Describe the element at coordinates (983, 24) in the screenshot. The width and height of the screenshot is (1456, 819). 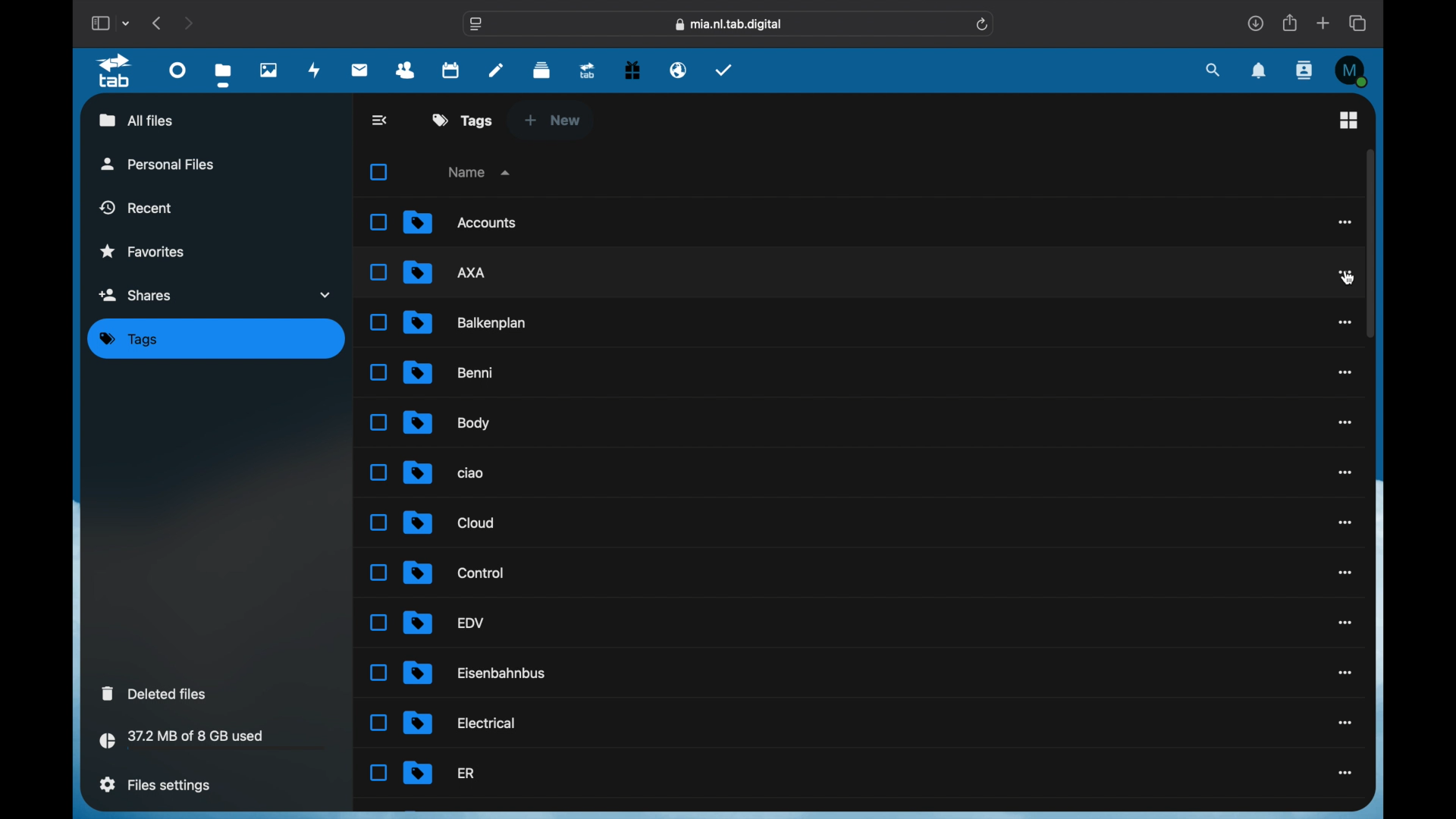
I see `refresh` at that location.